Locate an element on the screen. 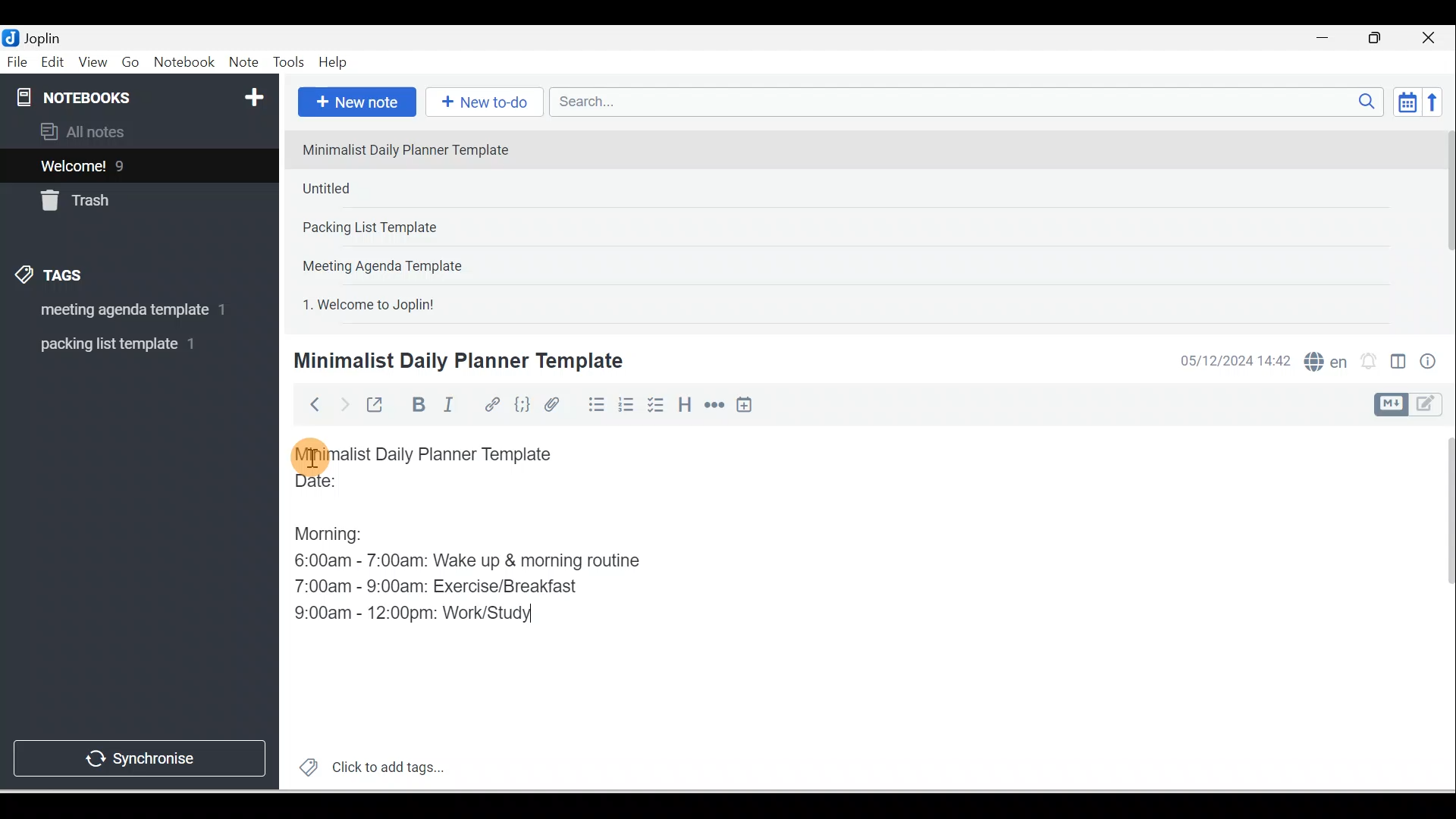  Joplin is located at coordinates (46, 36).